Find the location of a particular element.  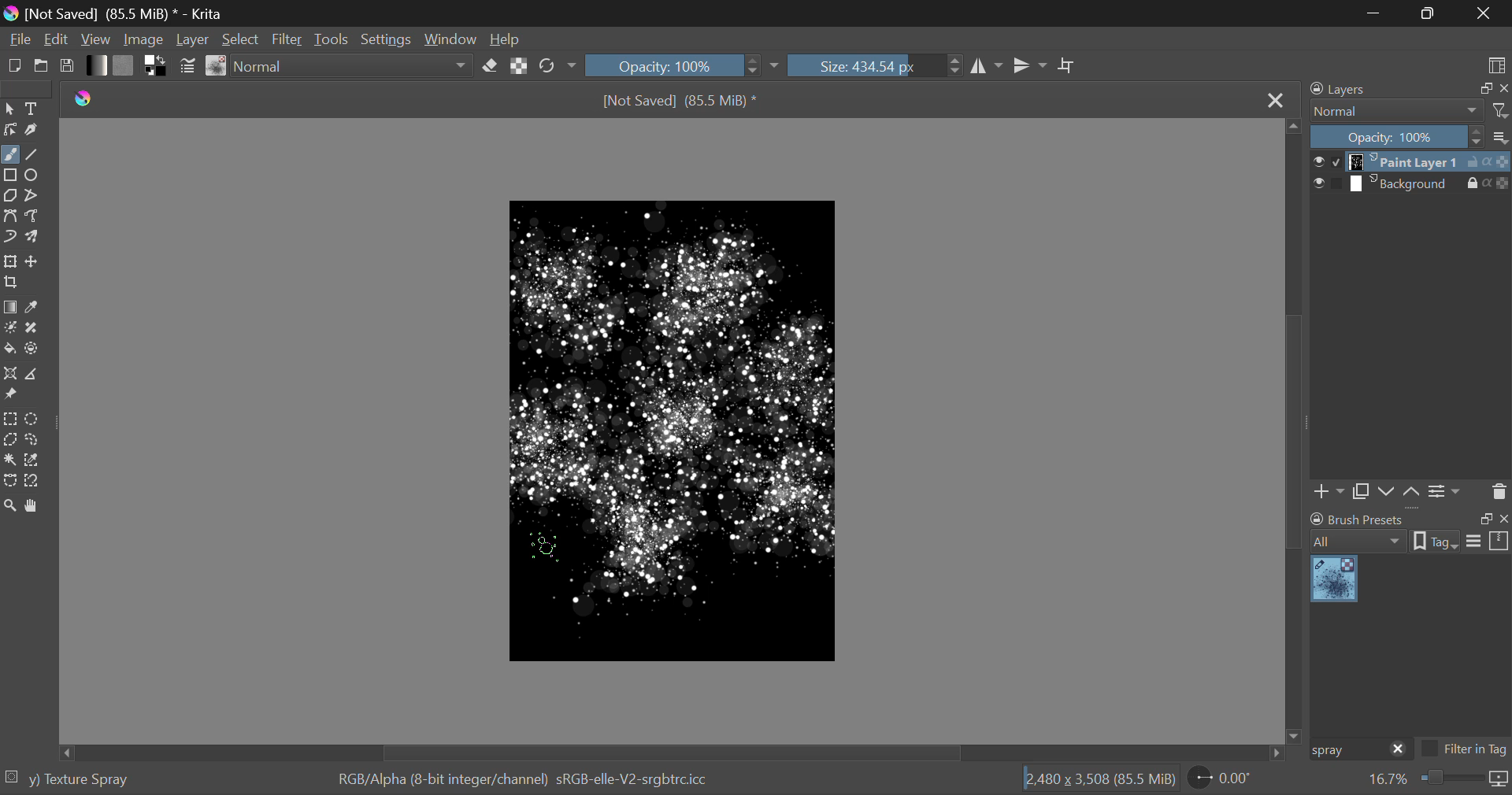

Layer is located at coordinates (194, 39).